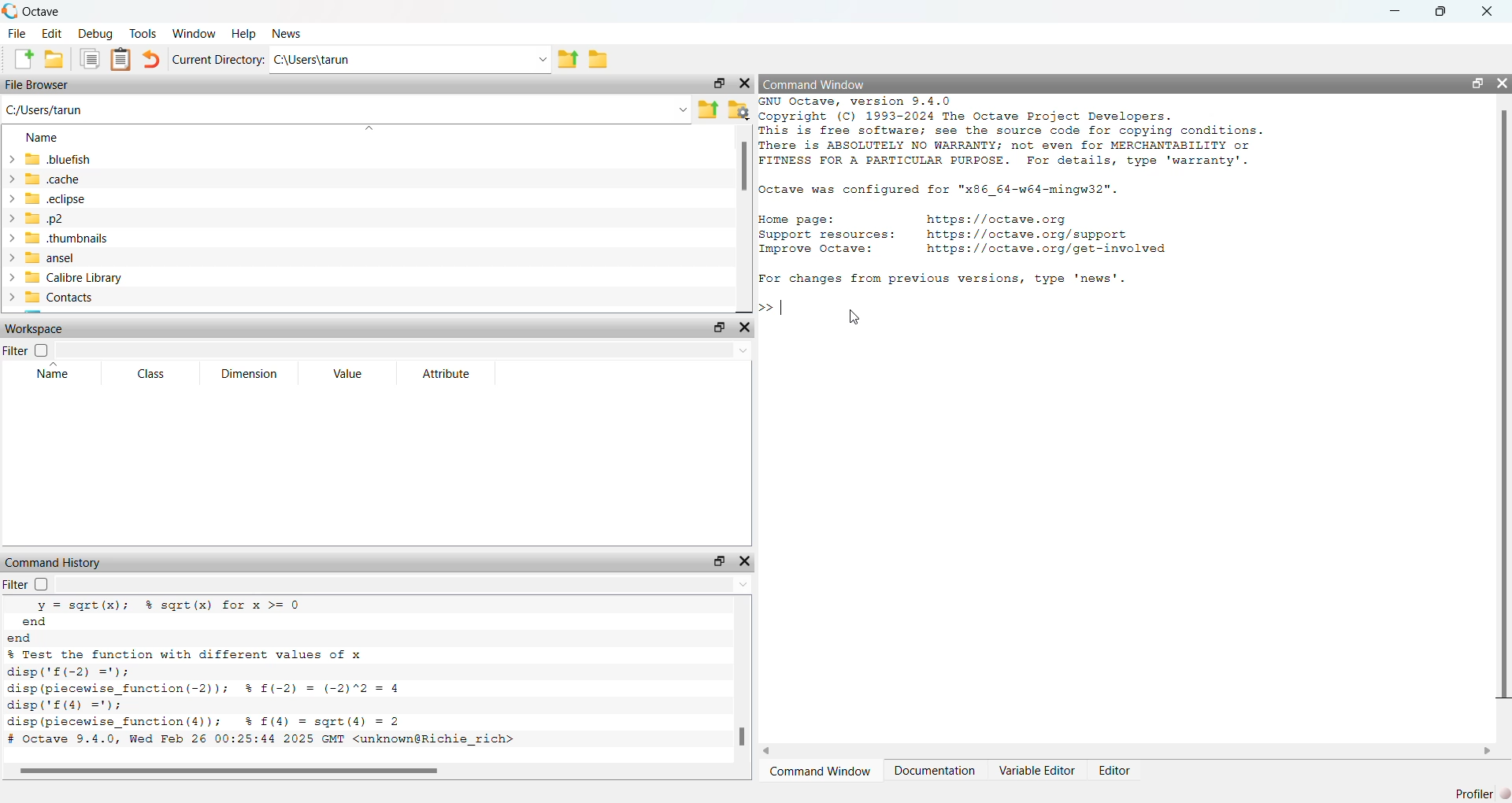  I want to click on Attribute, so click(446, 373).